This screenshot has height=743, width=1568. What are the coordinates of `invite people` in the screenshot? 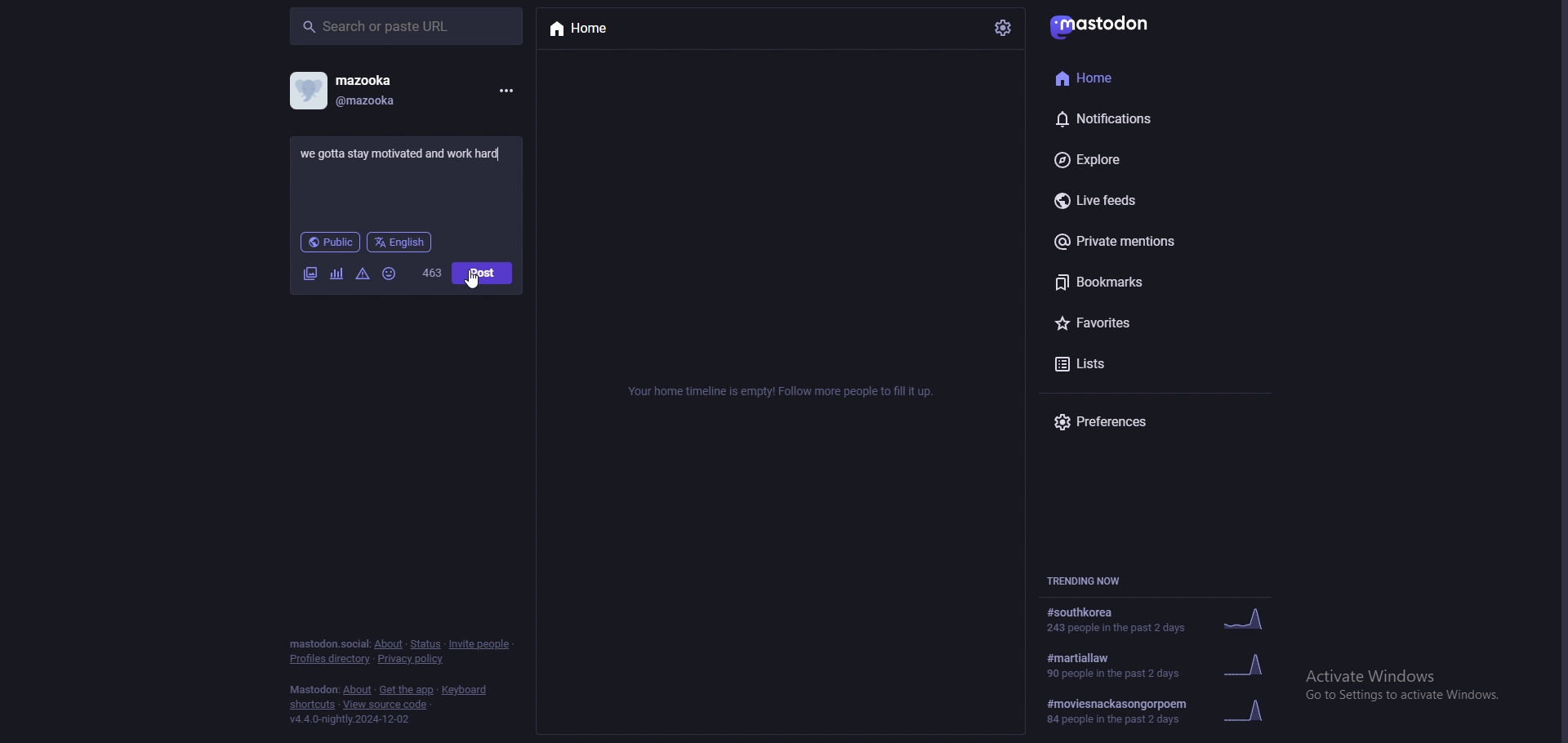 It's located at (480, 644).